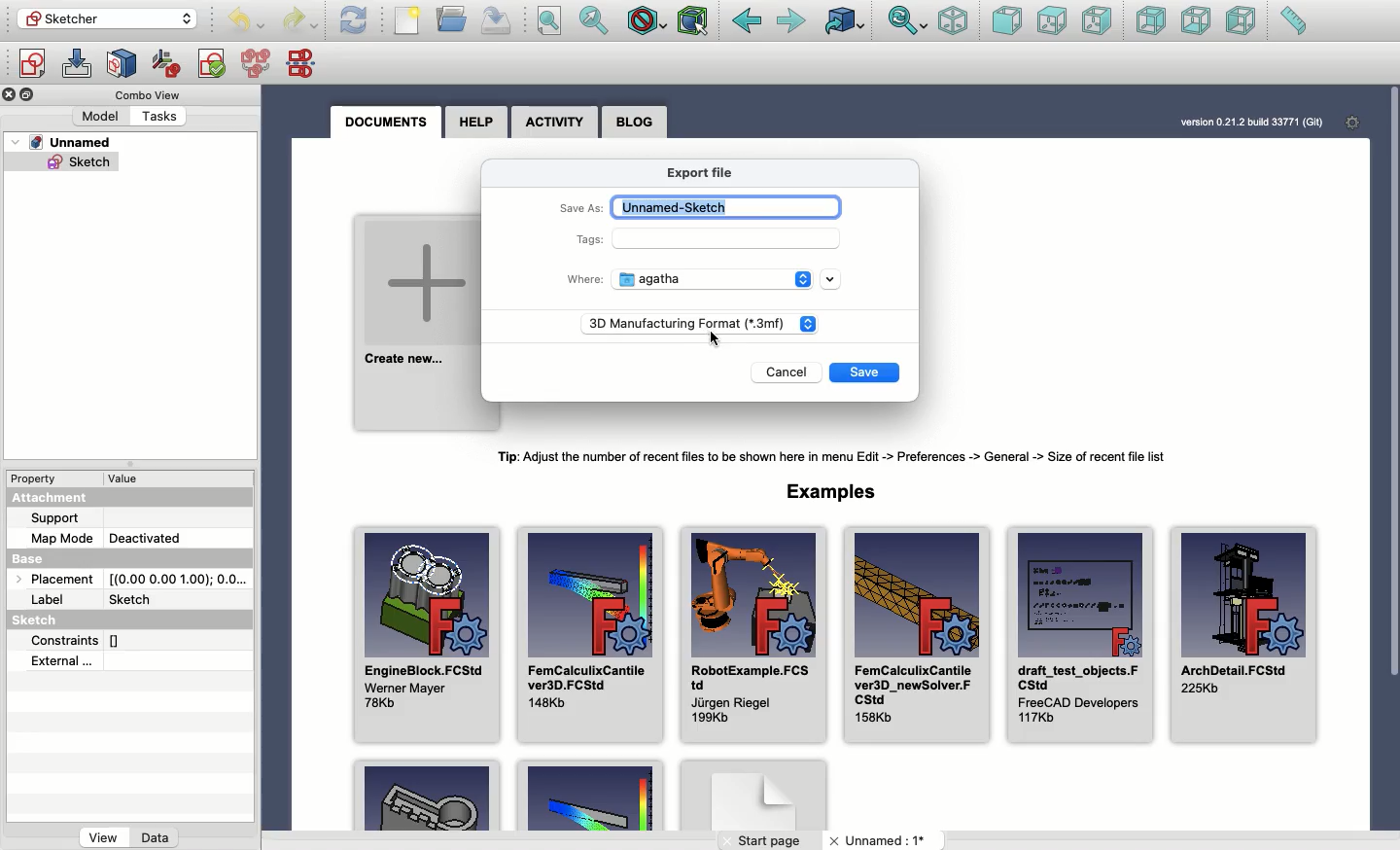  I want to click on Undo, so click(249, 21).